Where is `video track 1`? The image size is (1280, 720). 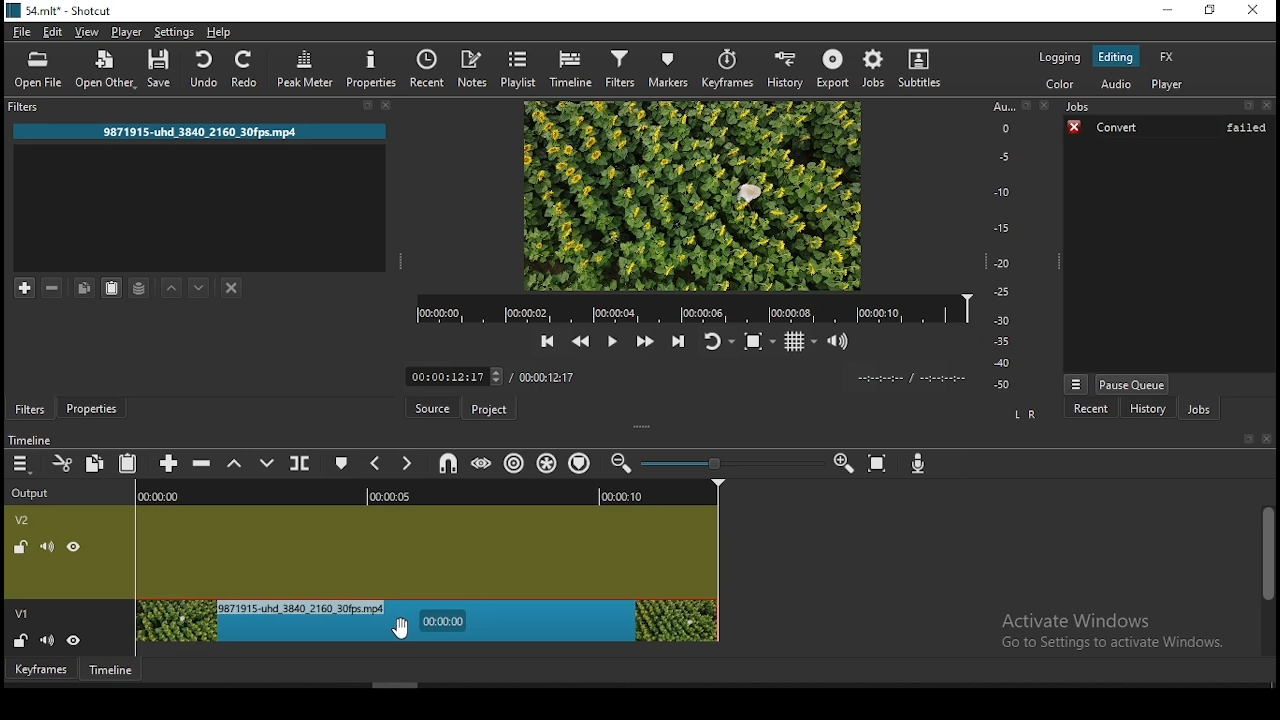 video track 1 is located at coordinates (428, 621).